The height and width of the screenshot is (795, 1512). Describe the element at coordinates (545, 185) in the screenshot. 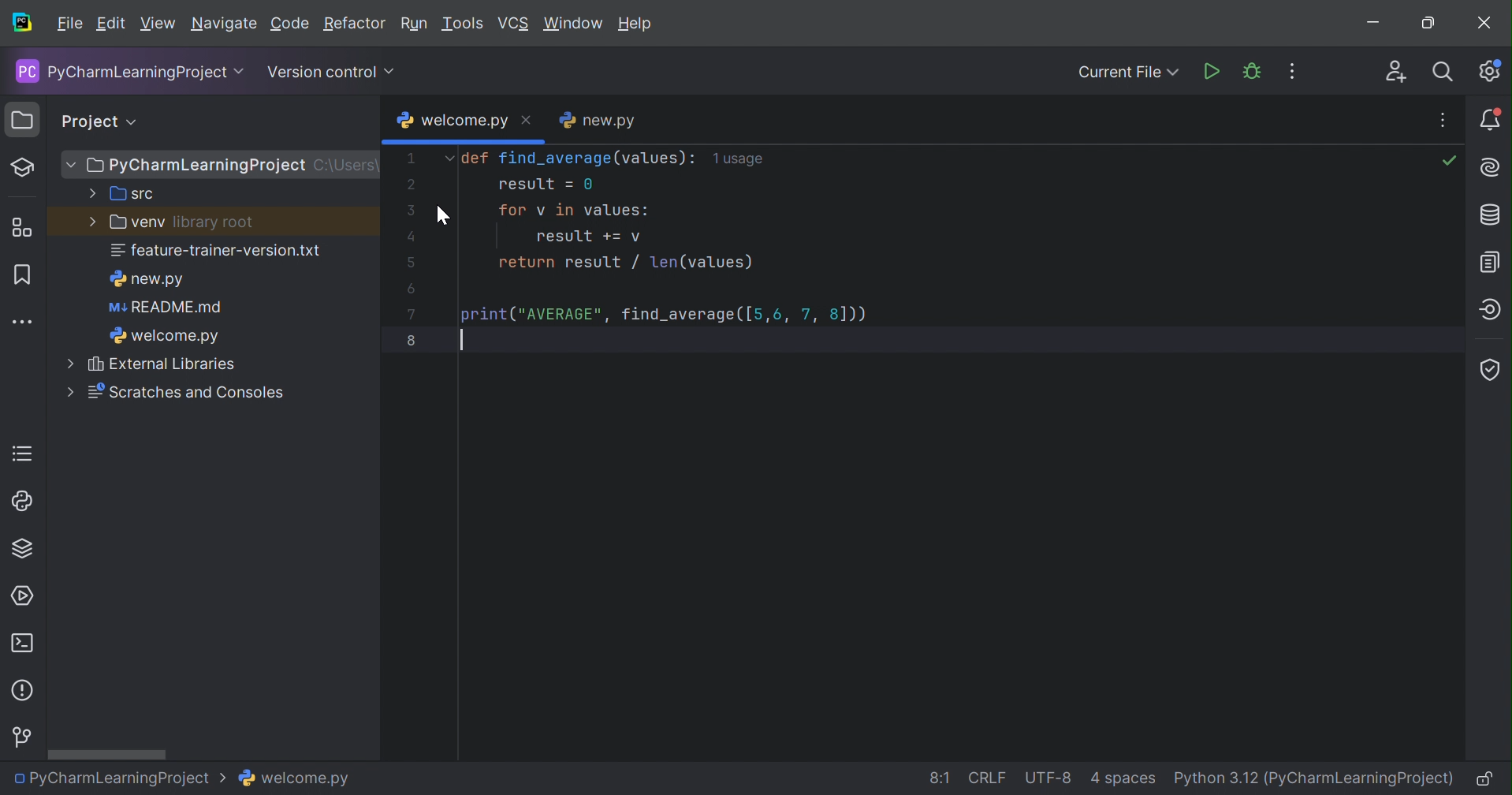

I see `result=0` at that location.